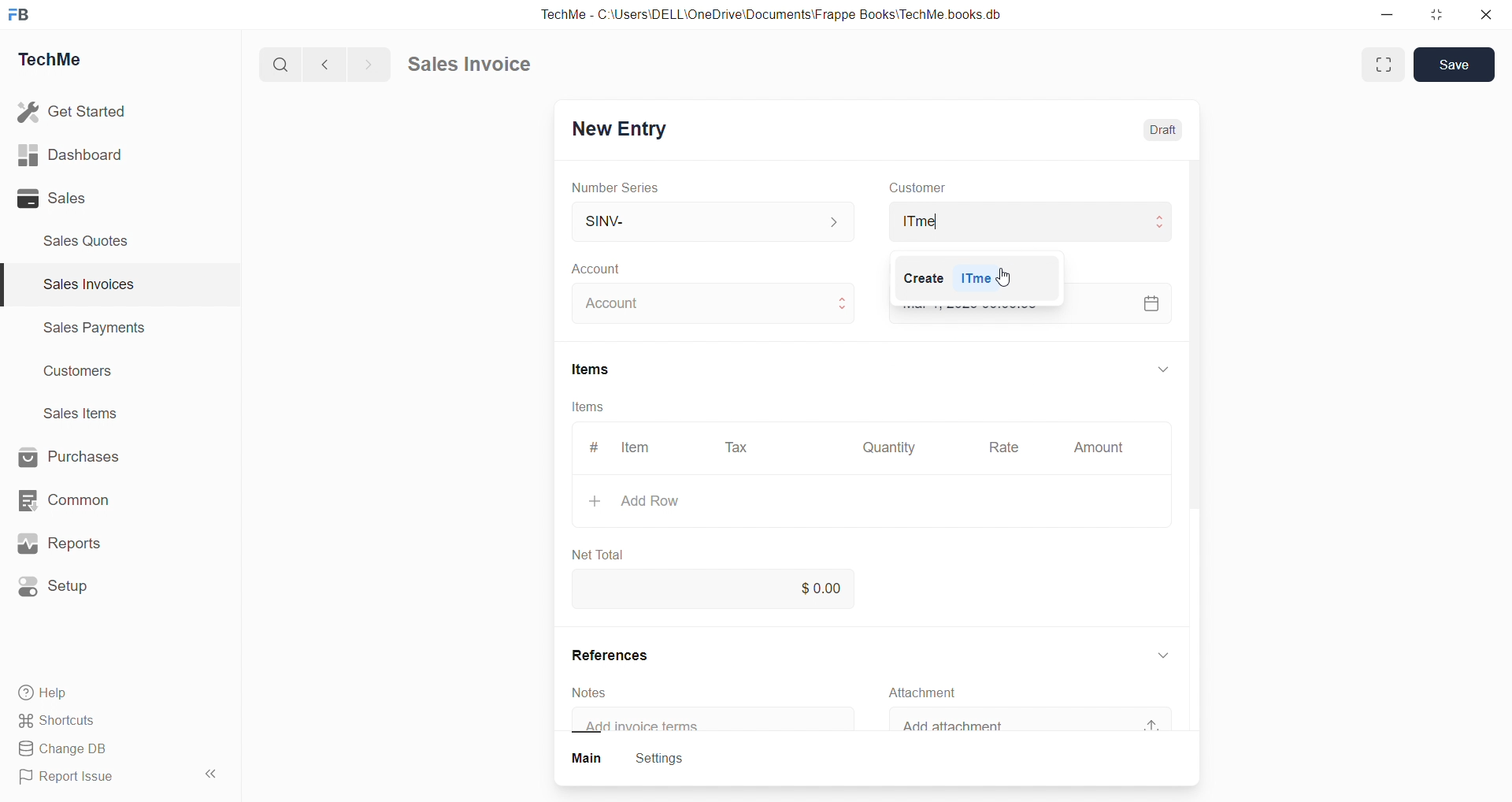 This screenshot has height=802, width=1512. What do you see at coordinates (1392, 16) in the screenshot?
I see `Minimize` at bounding box center [1392, 16].